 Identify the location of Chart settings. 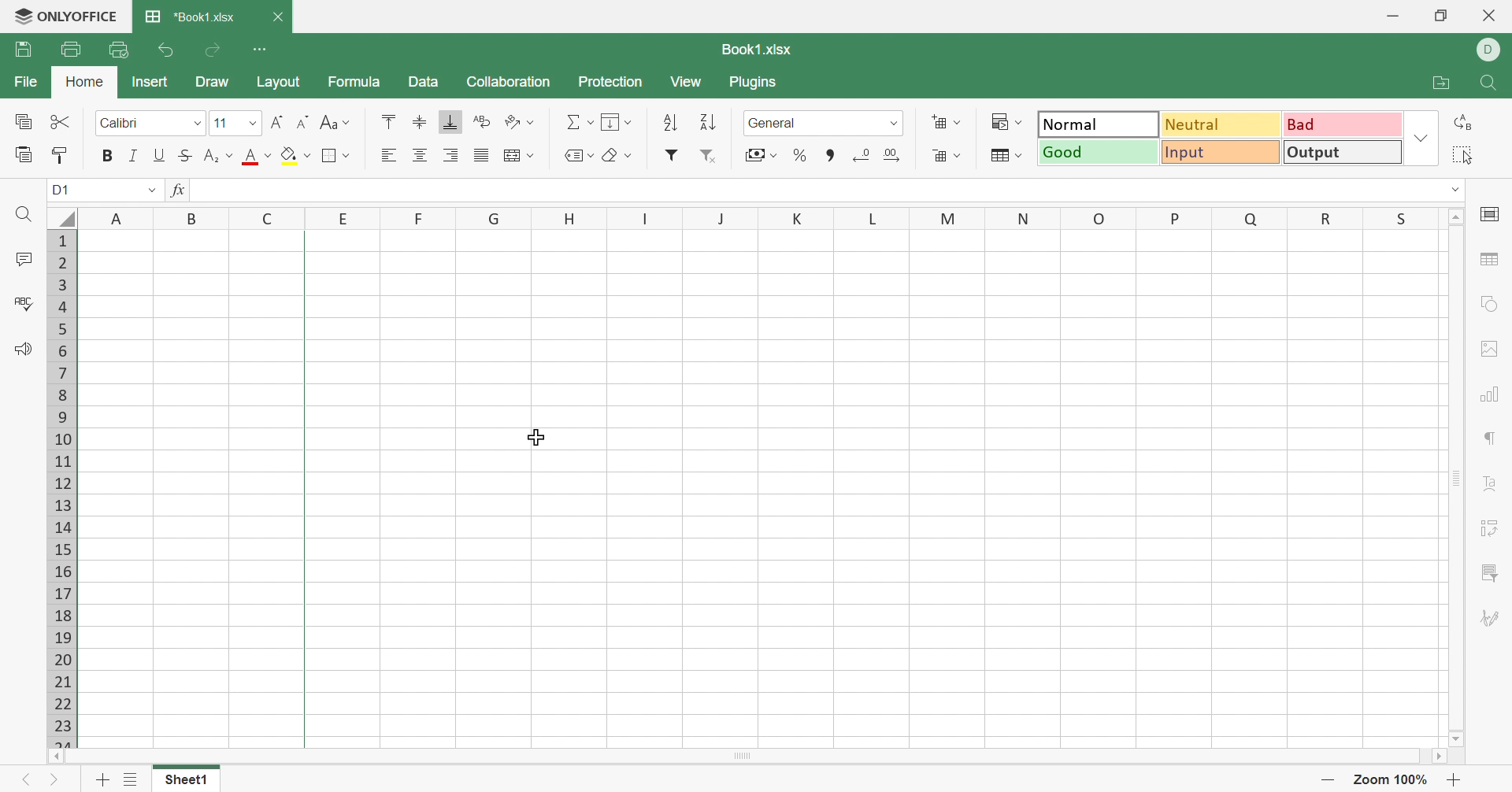
(1494, 394).